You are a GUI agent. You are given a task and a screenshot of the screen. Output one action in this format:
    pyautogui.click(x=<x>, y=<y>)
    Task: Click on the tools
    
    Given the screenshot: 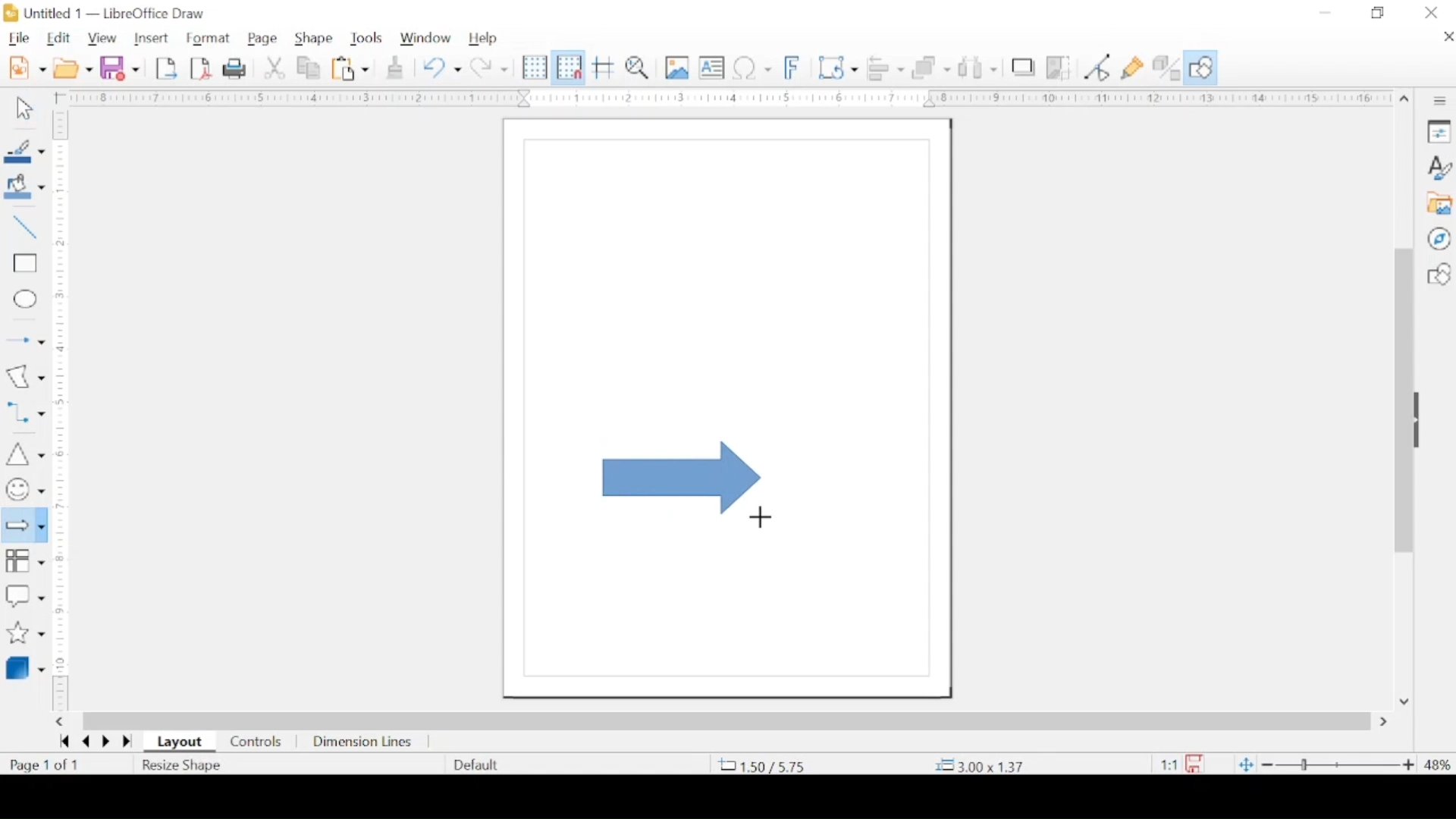 What is the action you would take?
    pyautogui.click(x=368, y=37)
    